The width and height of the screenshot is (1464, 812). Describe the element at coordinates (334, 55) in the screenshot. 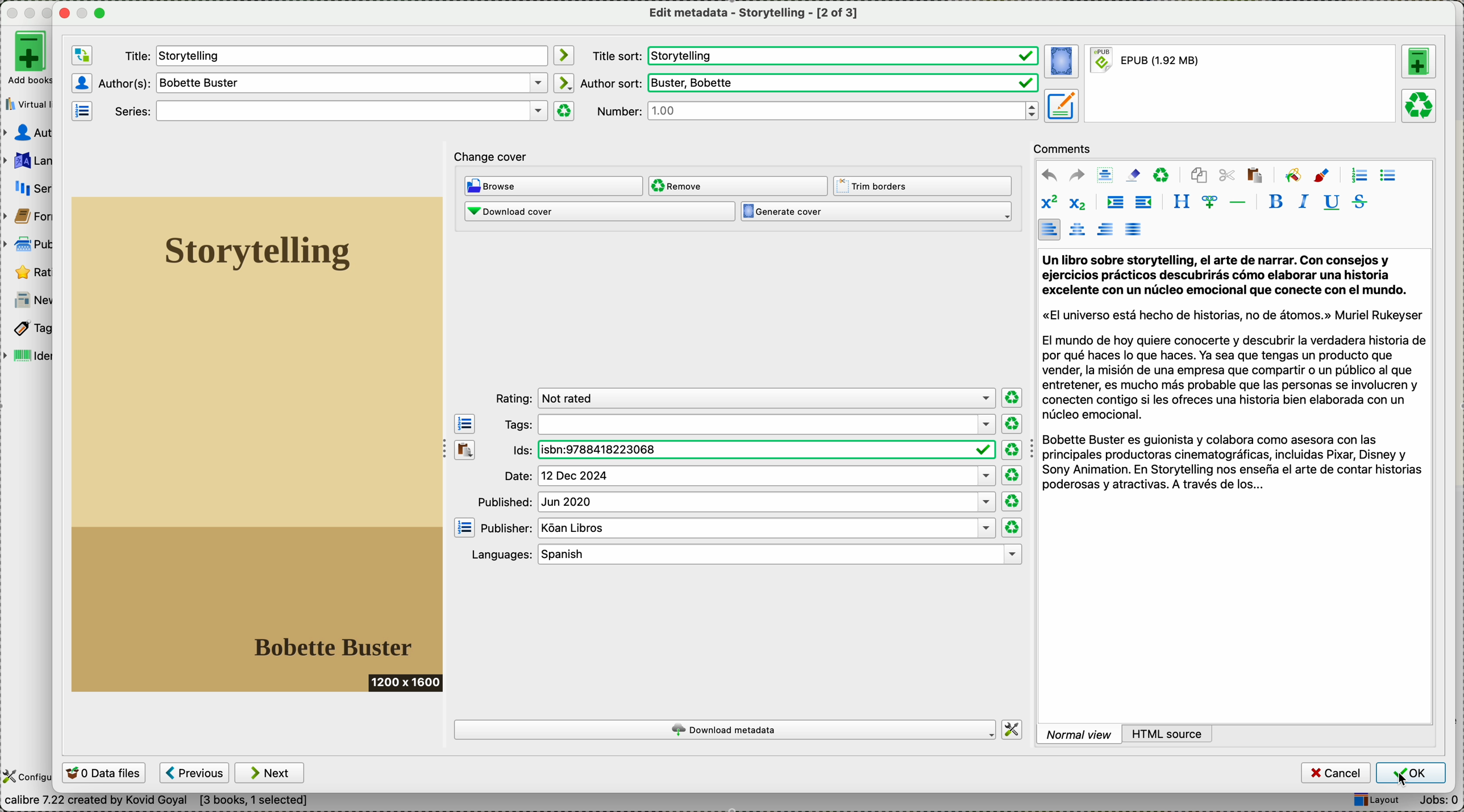

I see `title` at that location.